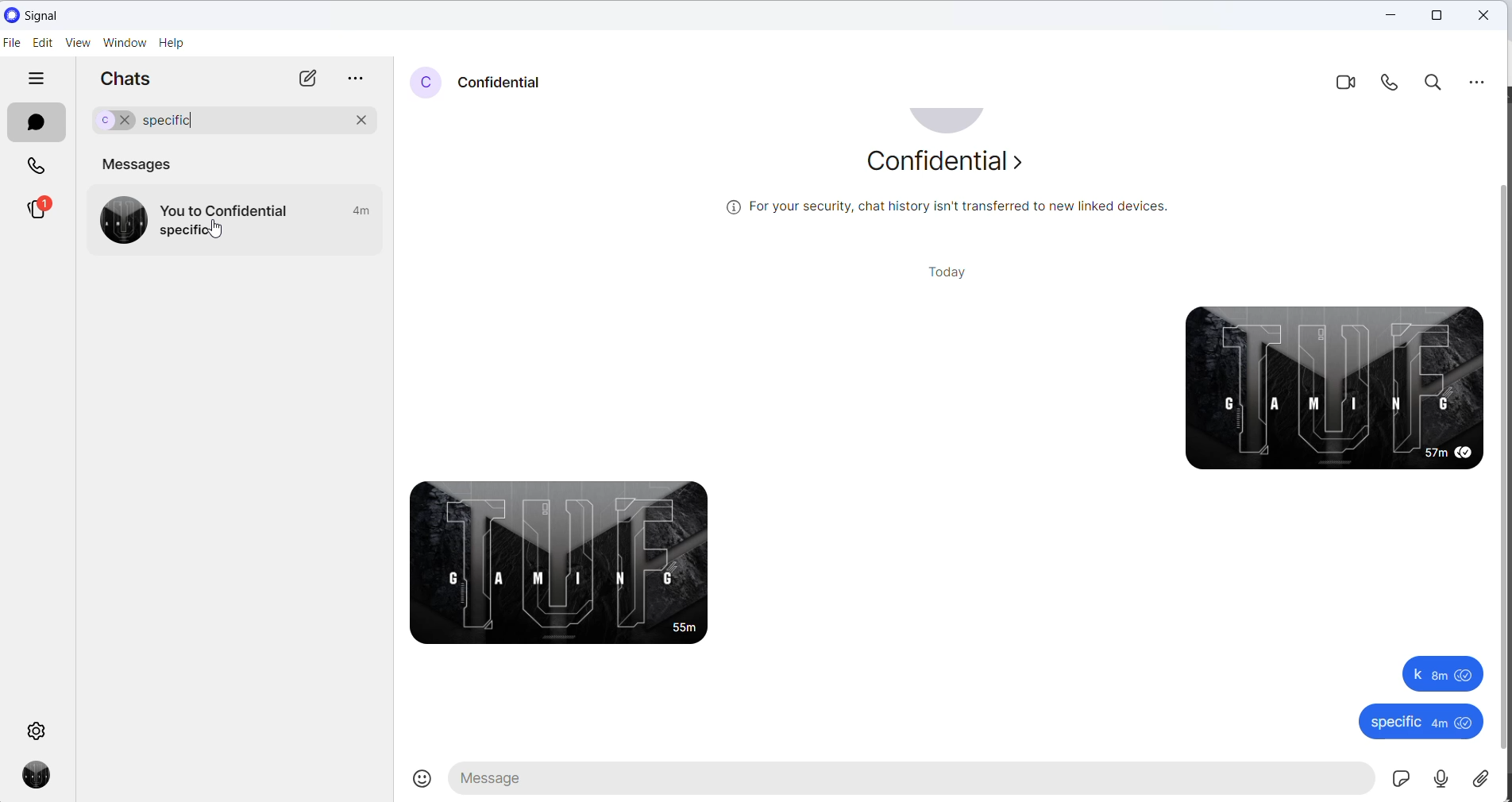  I want to click on about contact, so click(947, 165).